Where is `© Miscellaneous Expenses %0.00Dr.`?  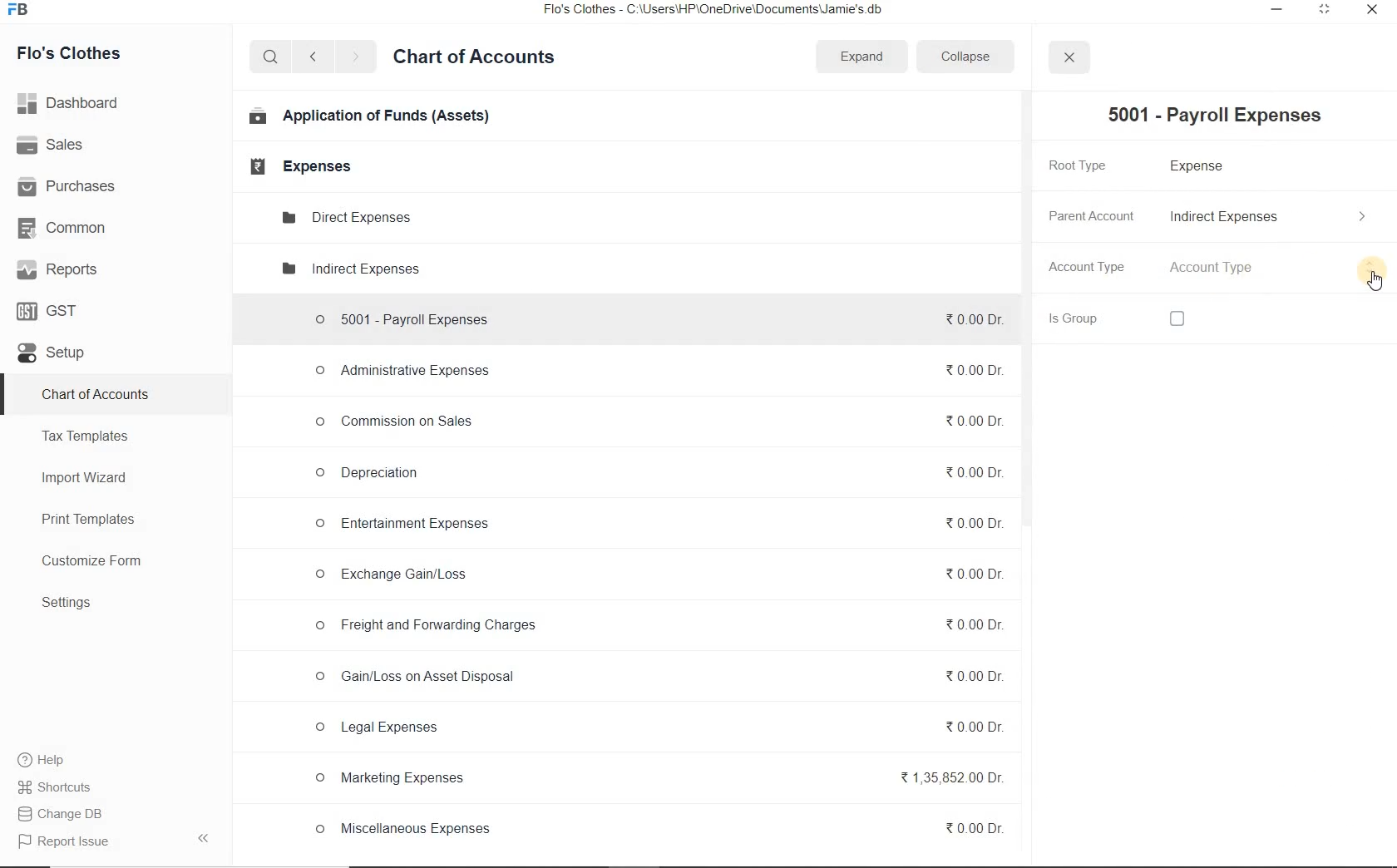
© Miscellaneous Expenses %0.00Dr. is located at coordinates (657, 829).